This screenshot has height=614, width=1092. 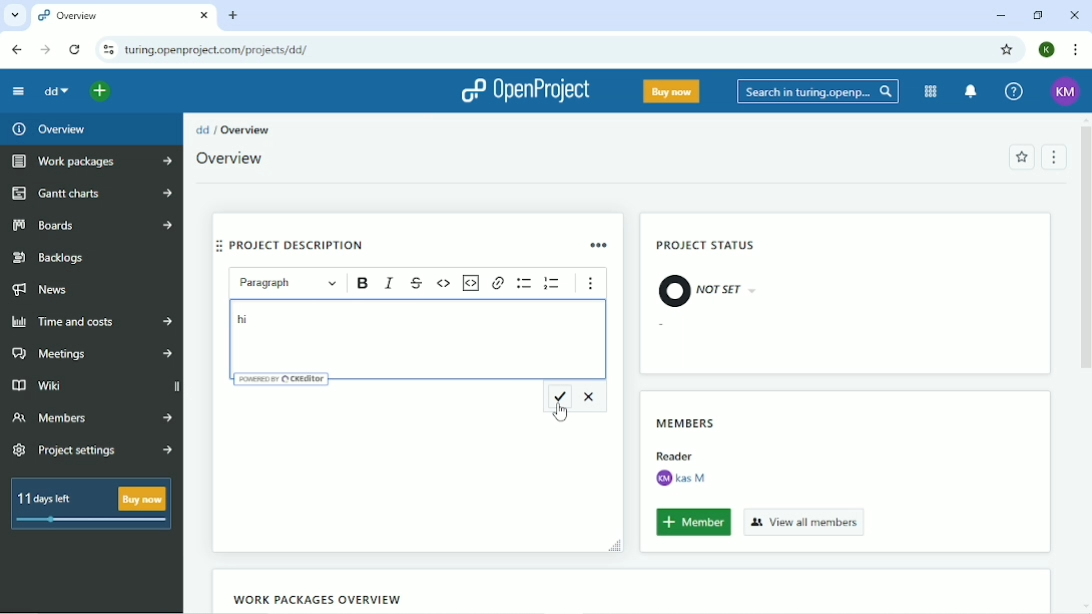 What do you see at coordinates (282, 378) in the screenshot?
I see `Powered by CKEditor` at bounding box center [282, 378].